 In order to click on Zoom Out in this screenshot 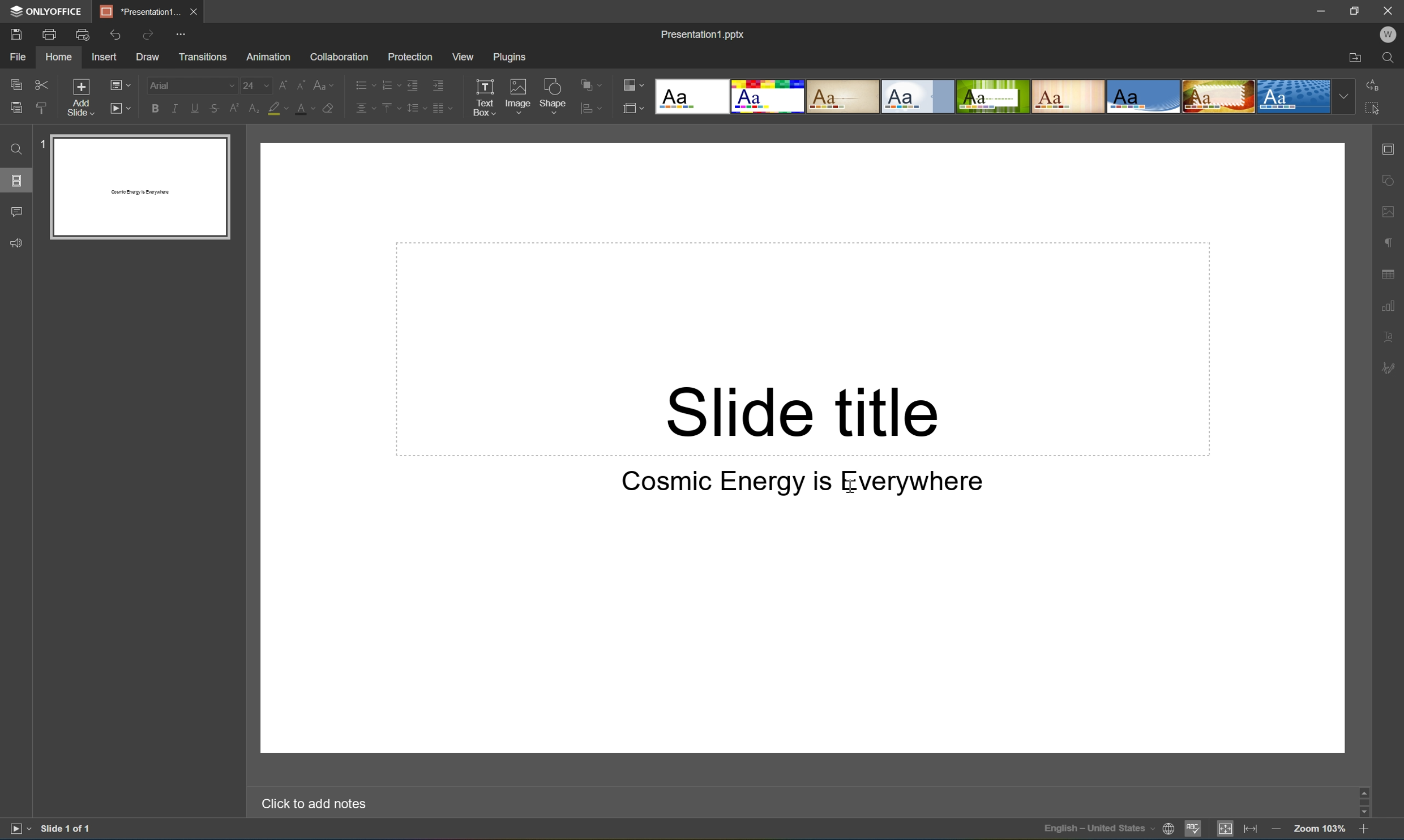, I will do `click(1275, 829)`.